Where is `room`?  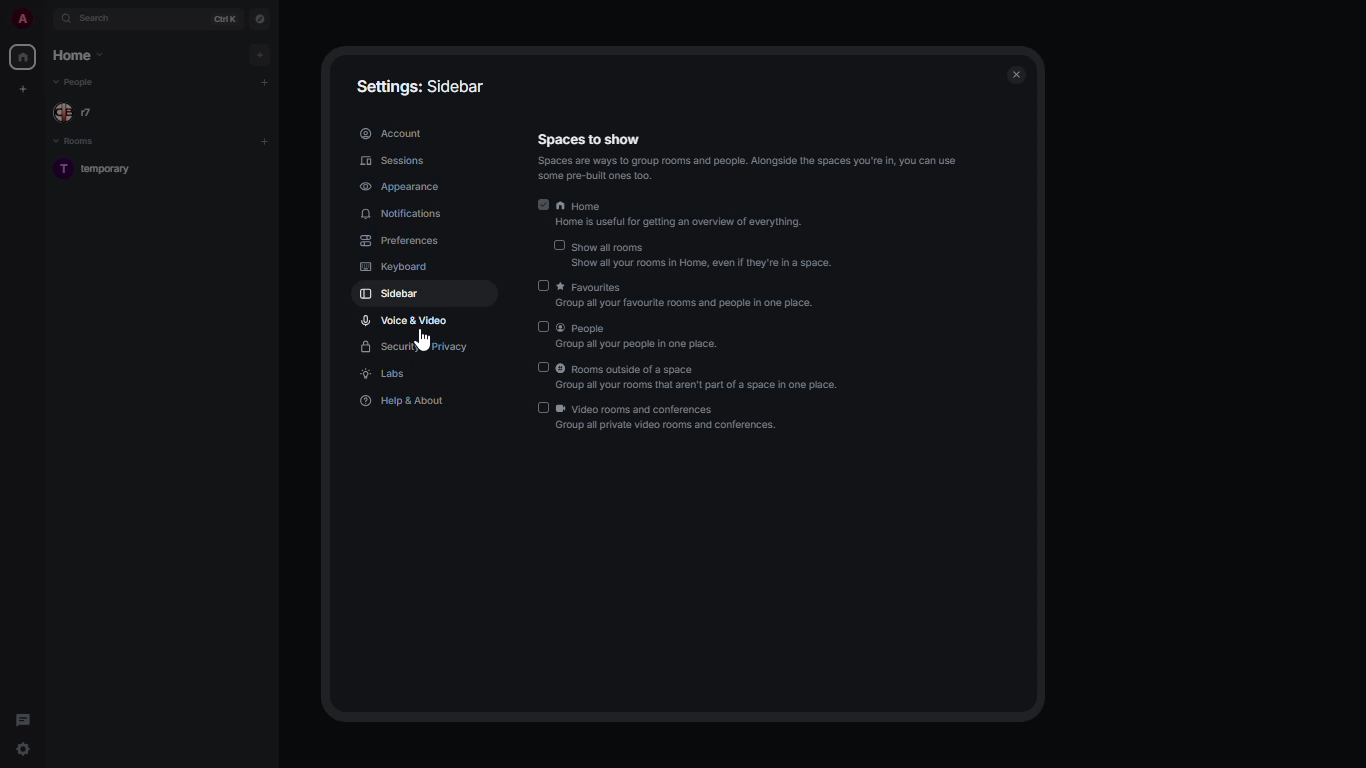 room is located at coordinates (99, 168).